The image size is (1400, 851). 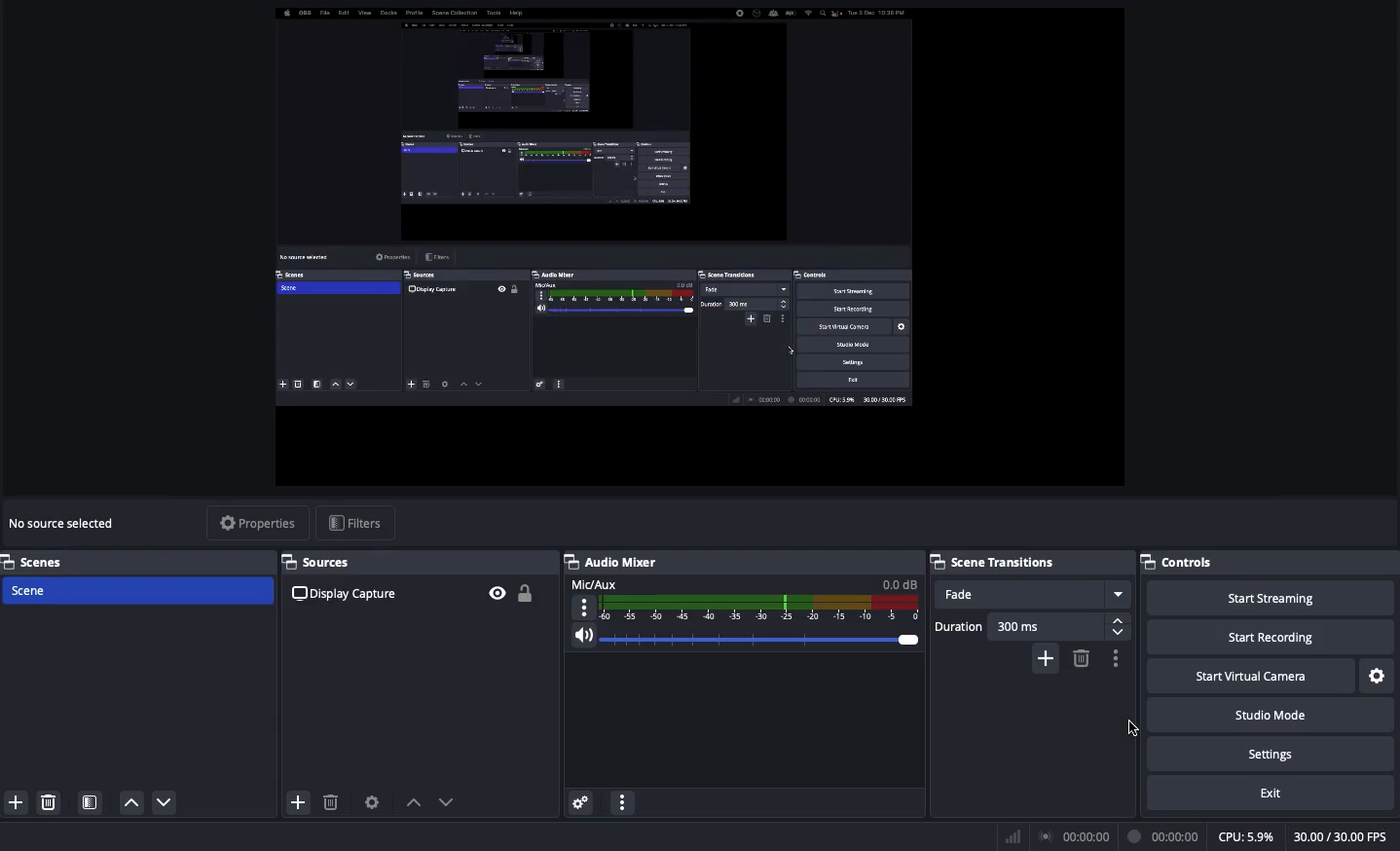 I want to click on Move down, so click(x=444, y=801).